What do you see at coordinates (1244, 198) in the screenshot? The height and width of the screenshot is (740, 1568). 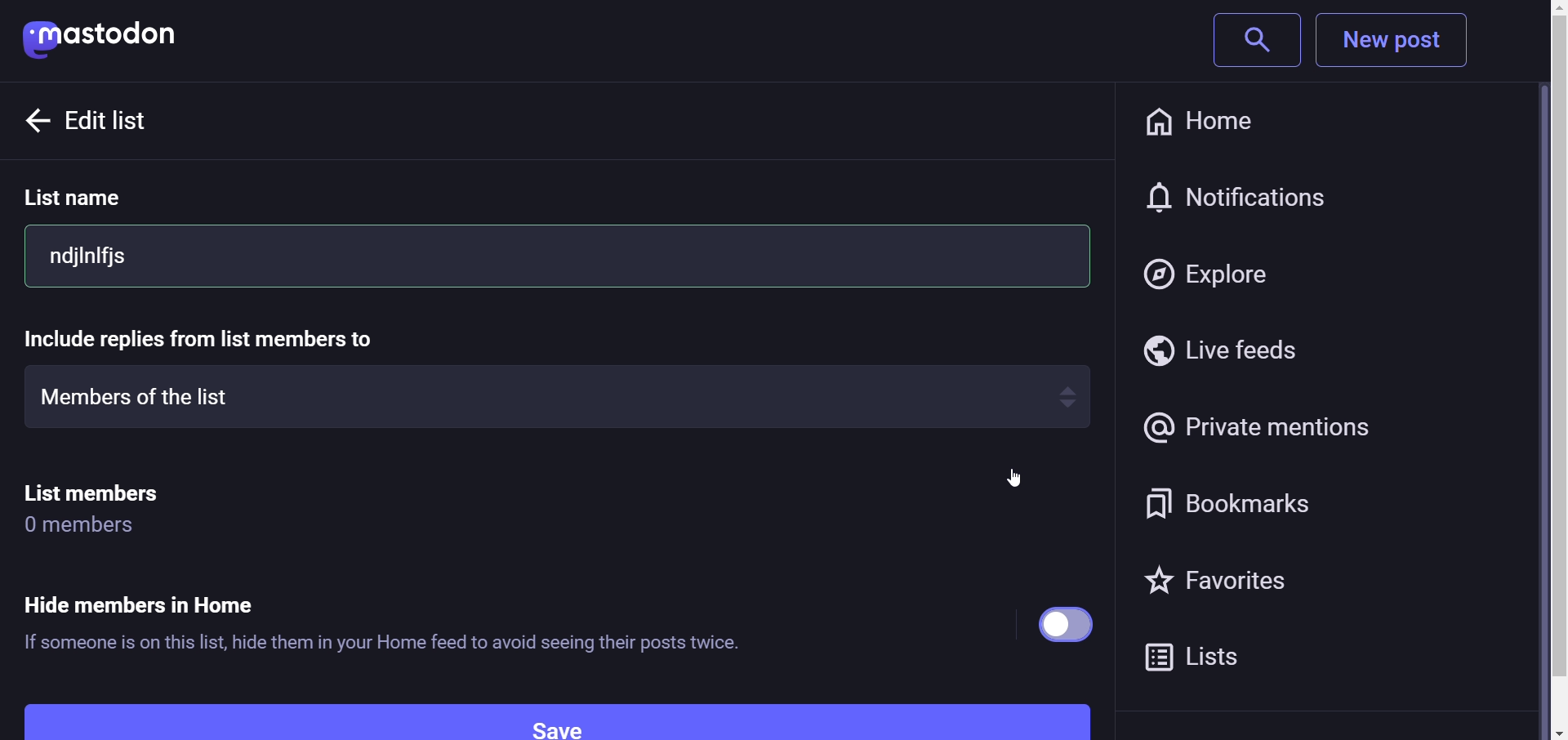 I see `notification` at bounding box center [1244, 198].